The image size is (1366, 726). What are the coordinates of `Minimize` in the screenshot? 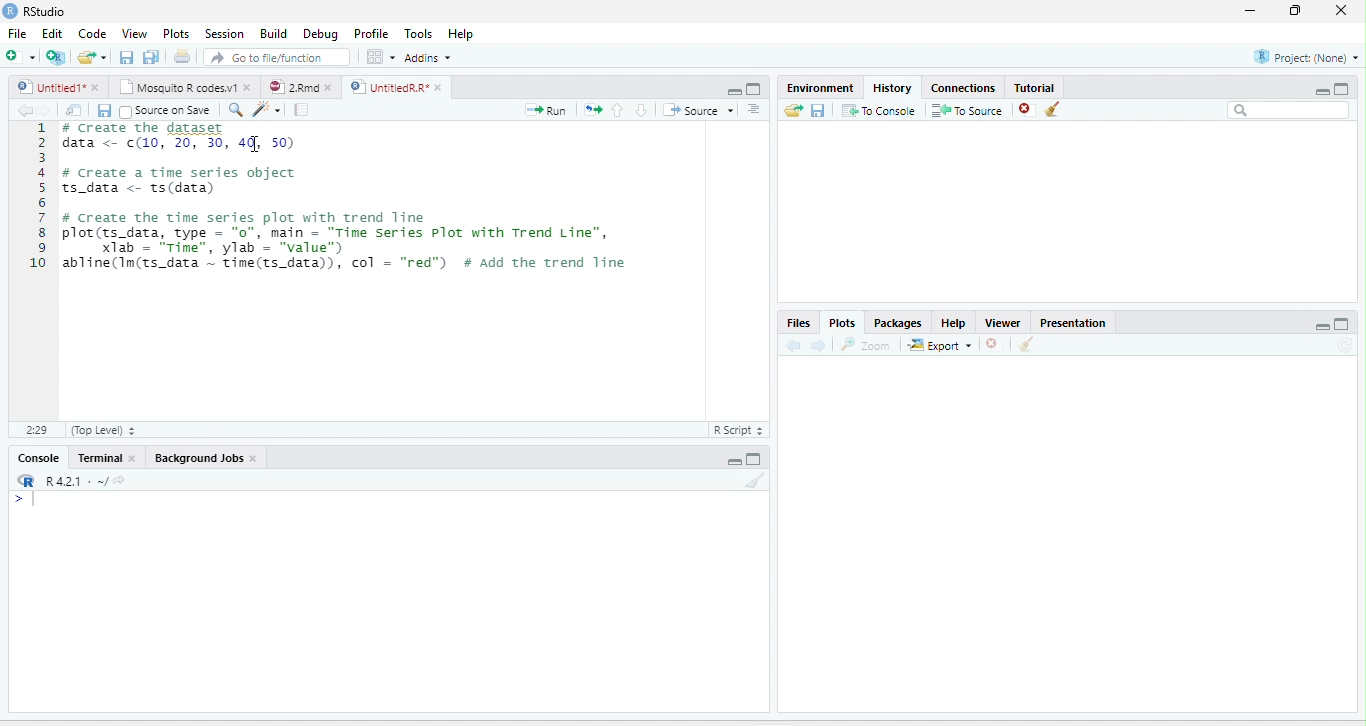 It's located at (1321, 91).